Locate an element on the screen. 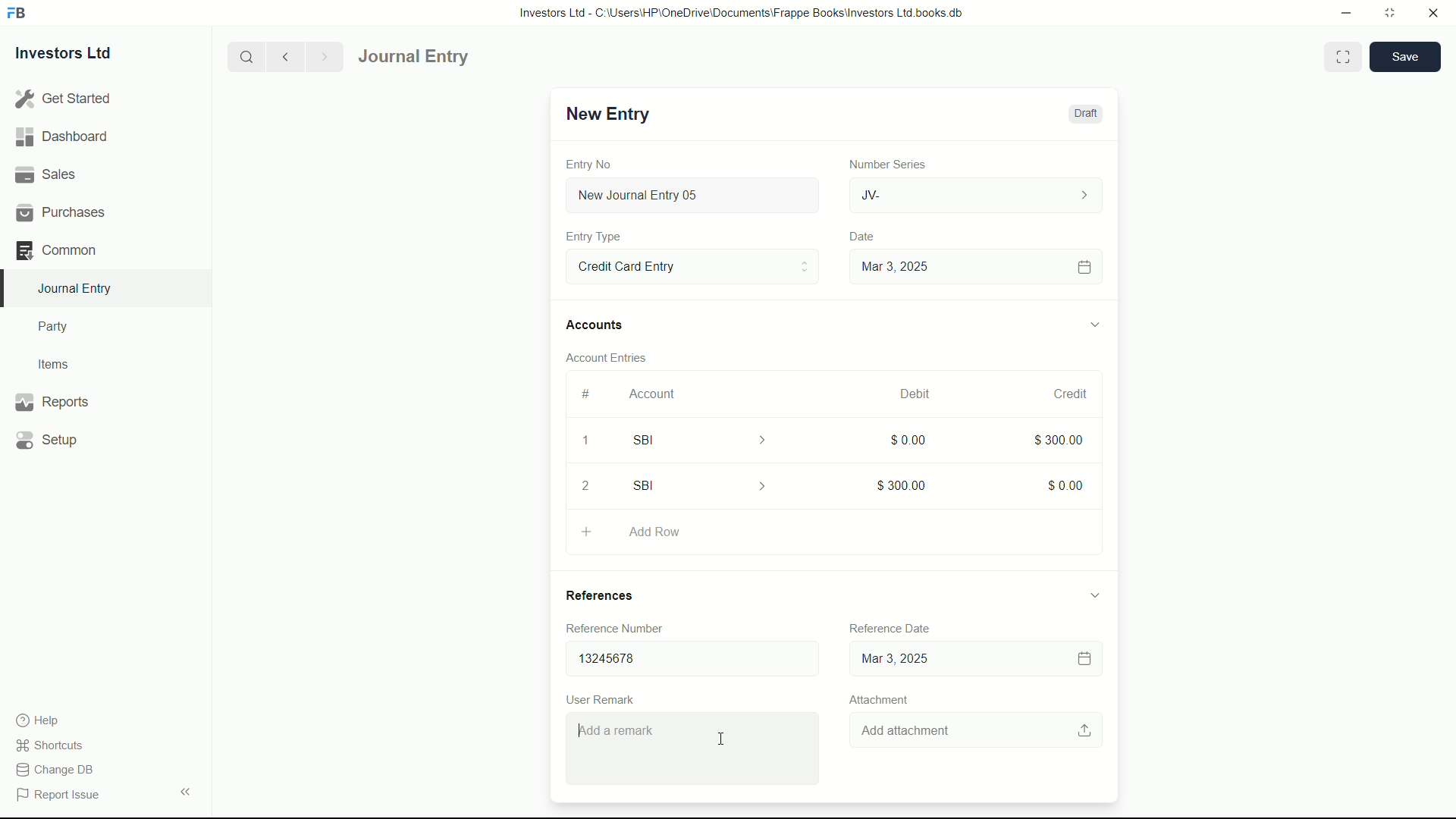 The width and height of the screenshot is (1456, 819). Account is located at coordinates (653, 394).